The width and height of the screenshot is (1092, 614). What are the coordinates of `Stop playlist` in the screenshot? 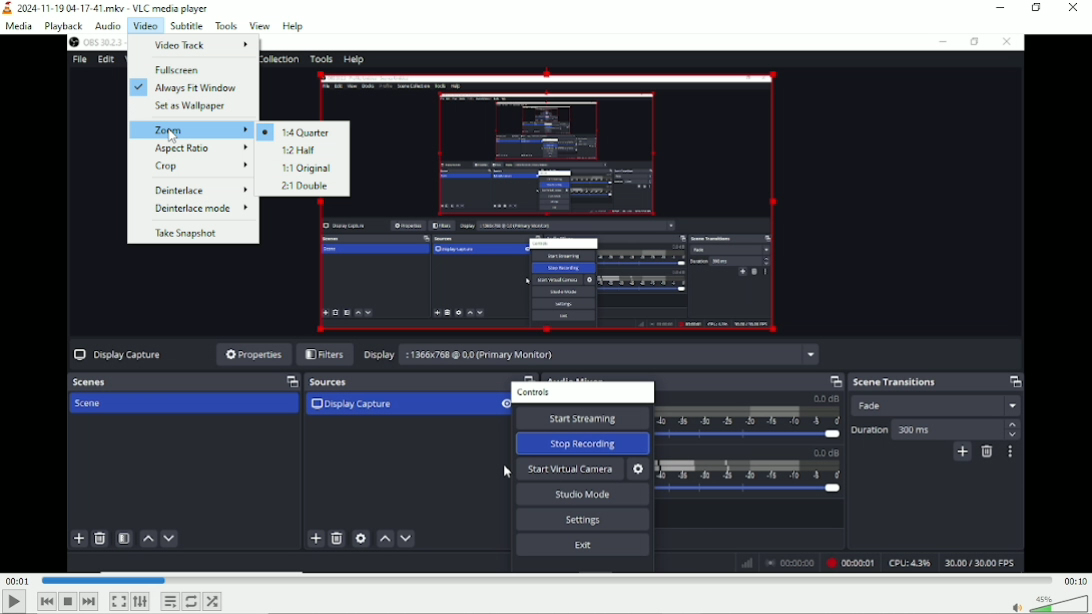 It's located at (70, 602).